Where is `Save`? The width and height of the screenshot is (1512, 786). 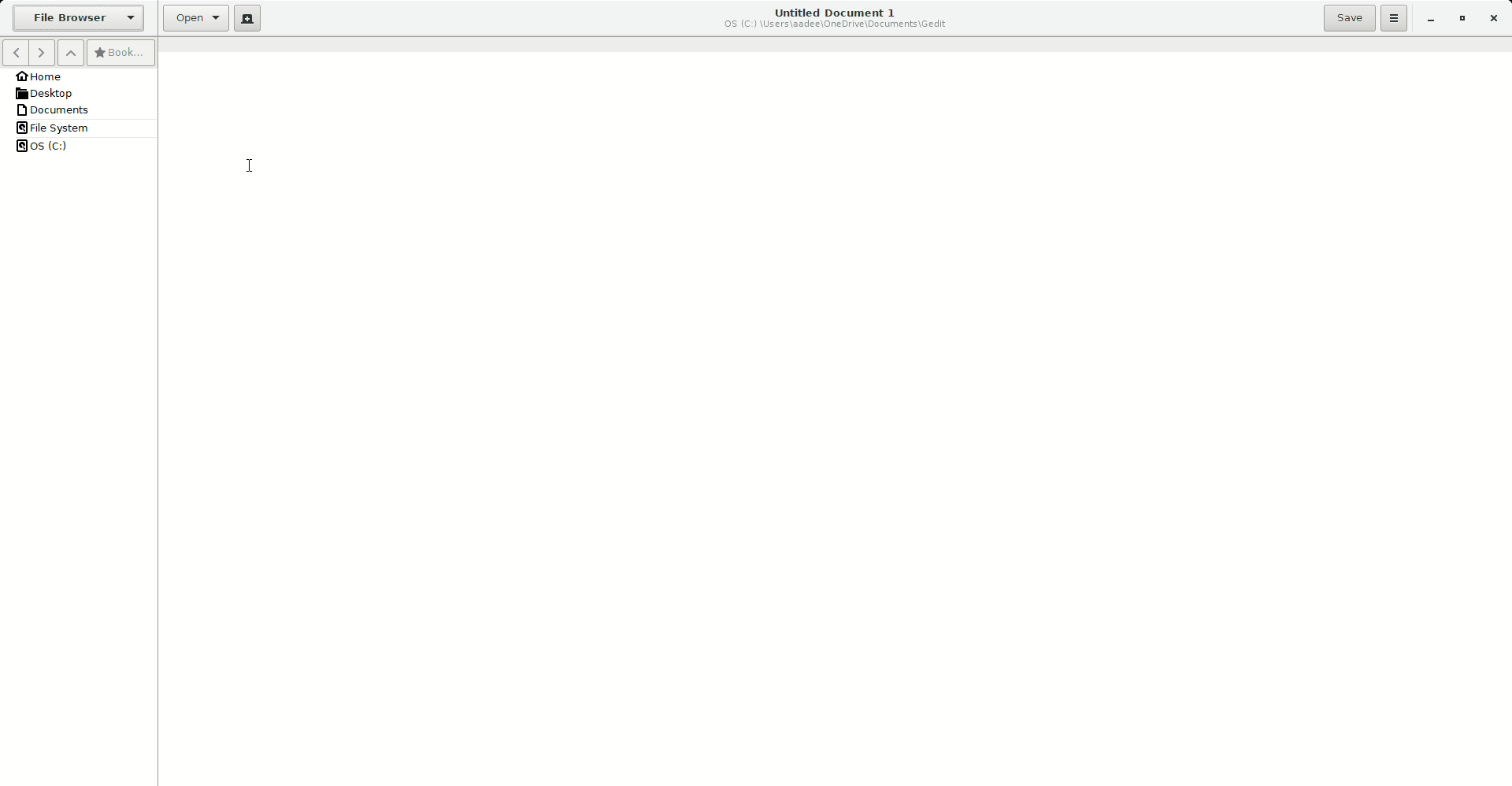 Save is located at coordinates (1351, 19).